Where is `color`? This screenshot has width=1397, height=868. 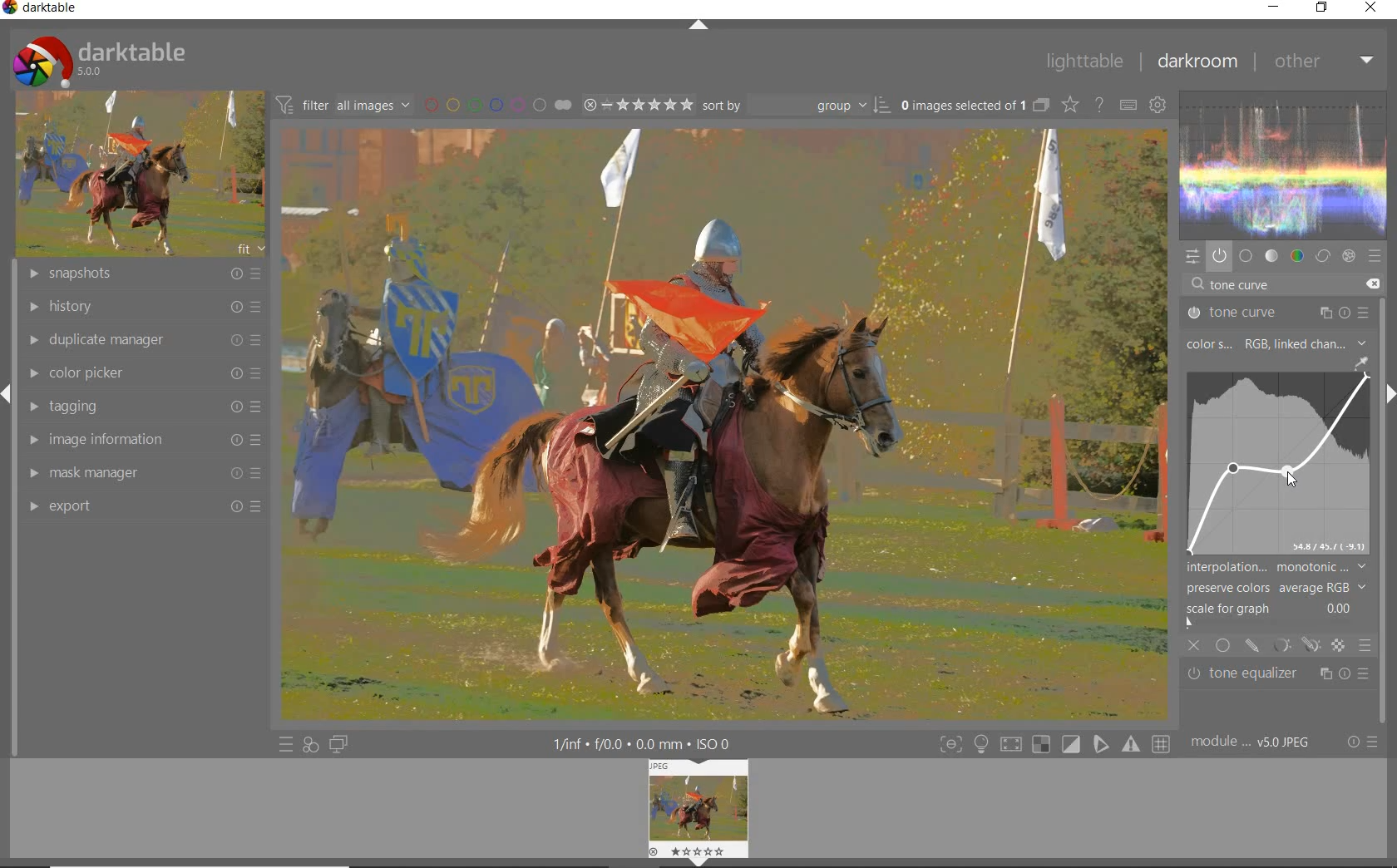 color is located at coordinates (1298, 256).